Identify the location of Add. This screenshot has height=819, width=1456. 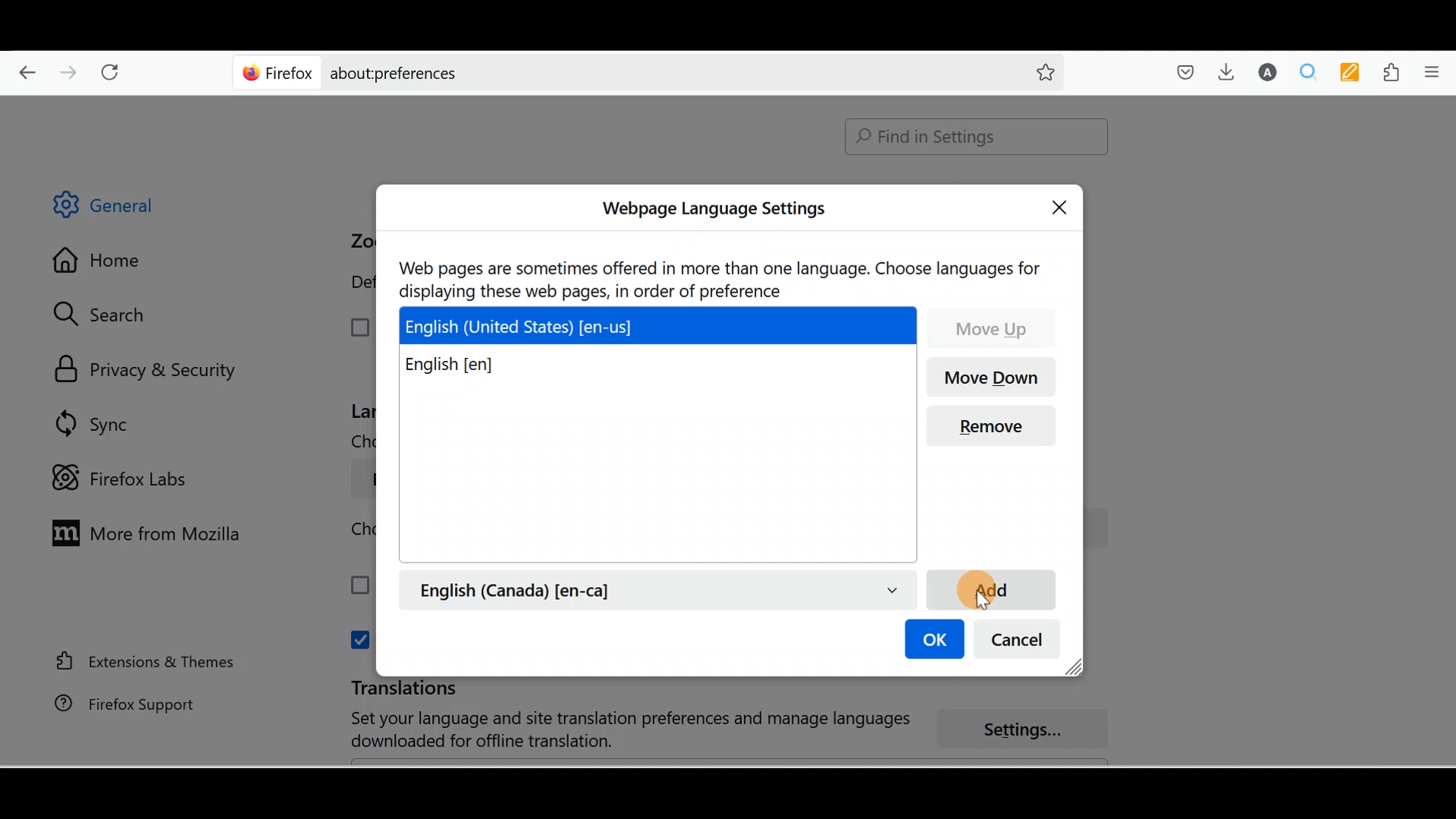
(990, 588).